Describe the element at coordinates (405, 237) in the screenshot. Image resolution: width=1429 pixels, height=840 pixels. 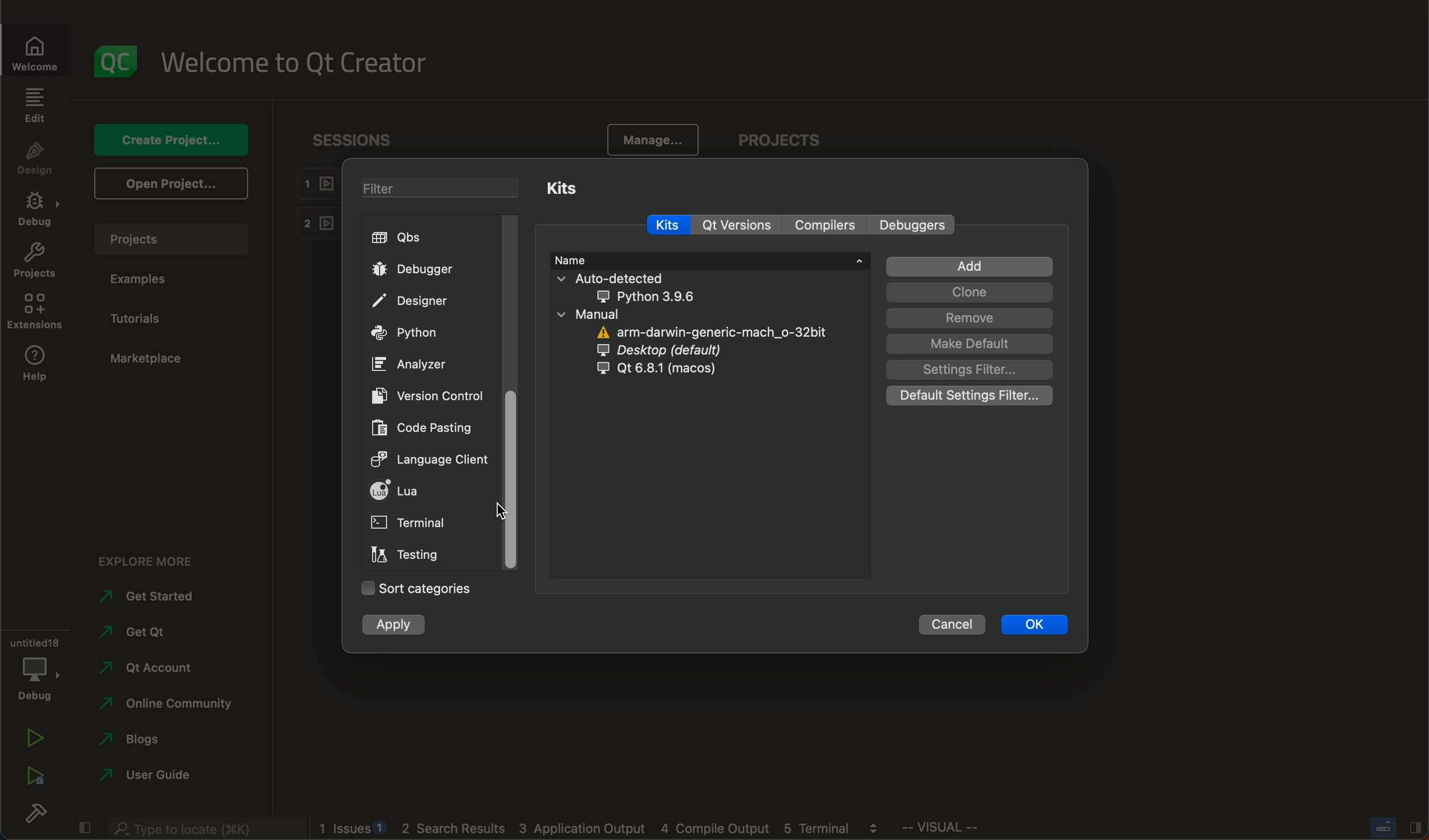
I see `qbs` at that location.